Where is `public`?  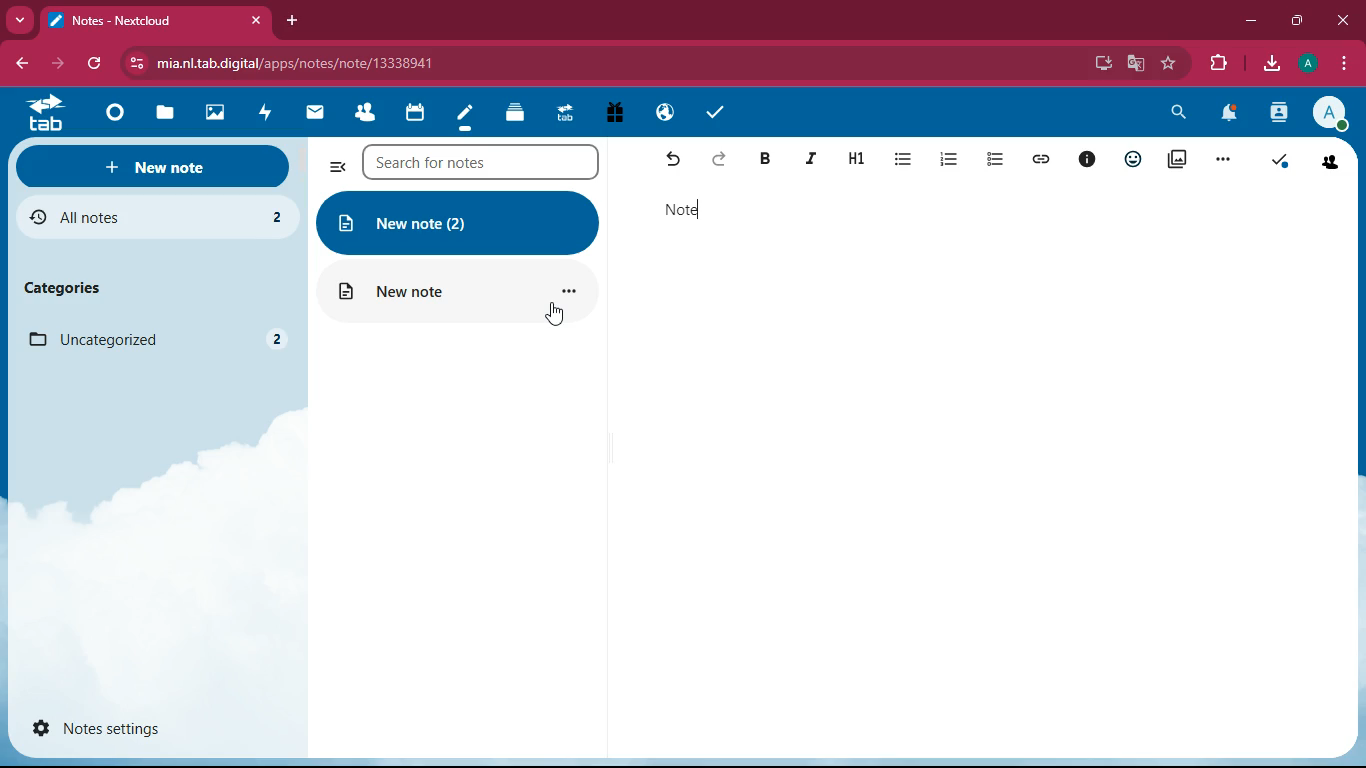 public is located at coordinates (666, 114).